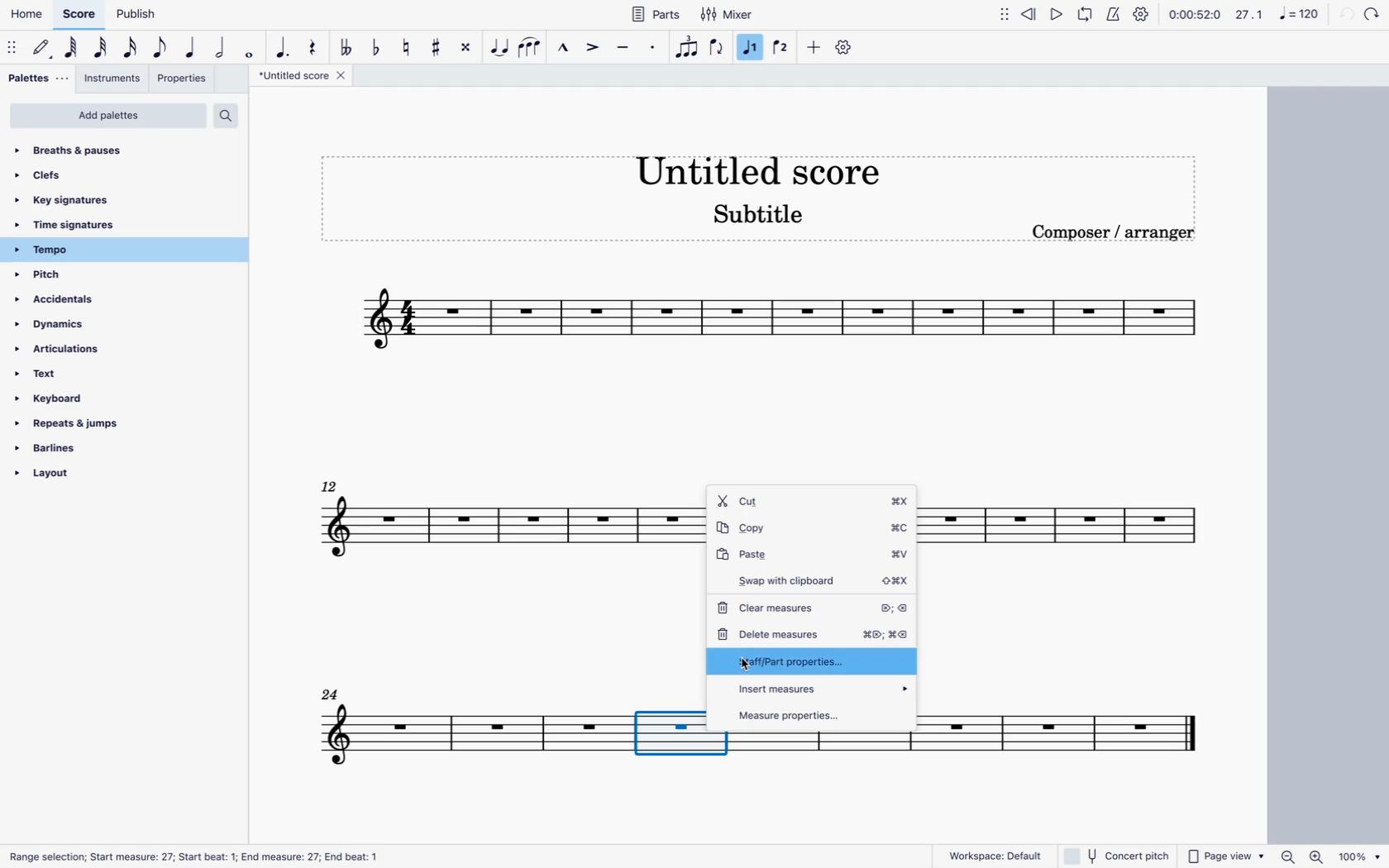  What do you see at coordinates (65, 180) in the screenshot?
I see `clefs` at bounding box center [65, 180].